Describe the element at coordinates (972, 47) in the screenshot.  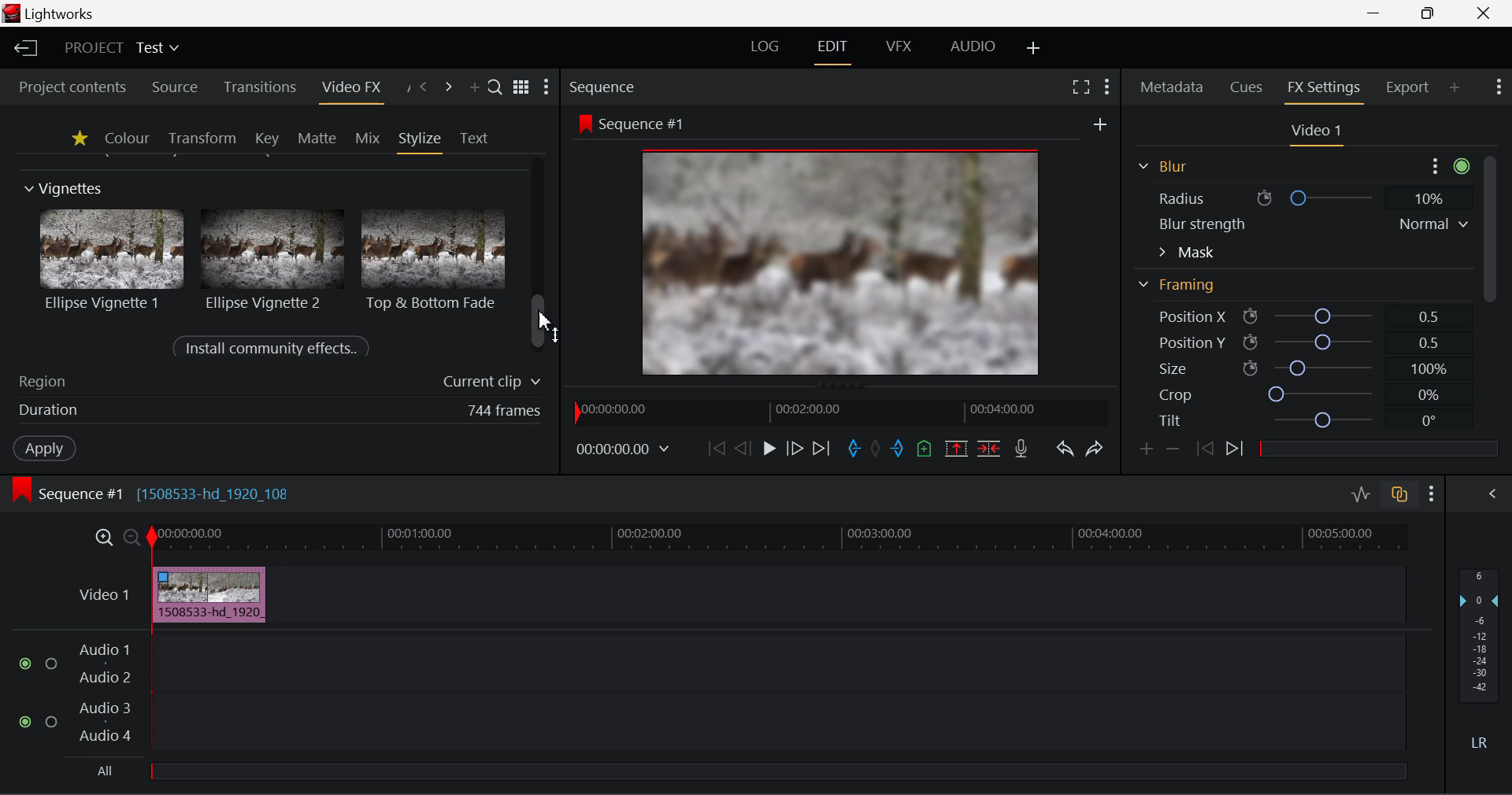
I see `AUDIO Layout` at that location.